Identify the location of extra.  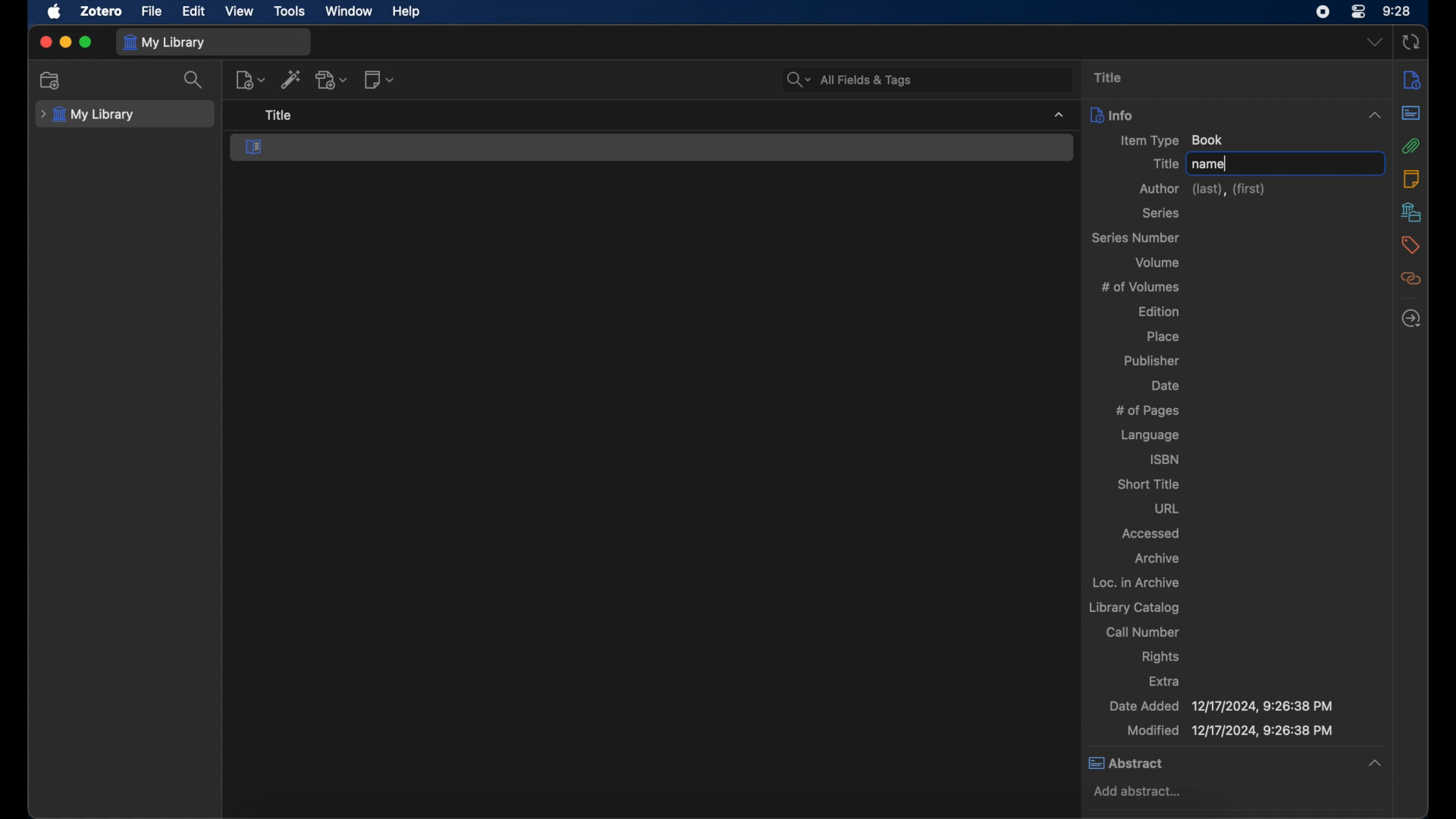
(1164, 680).